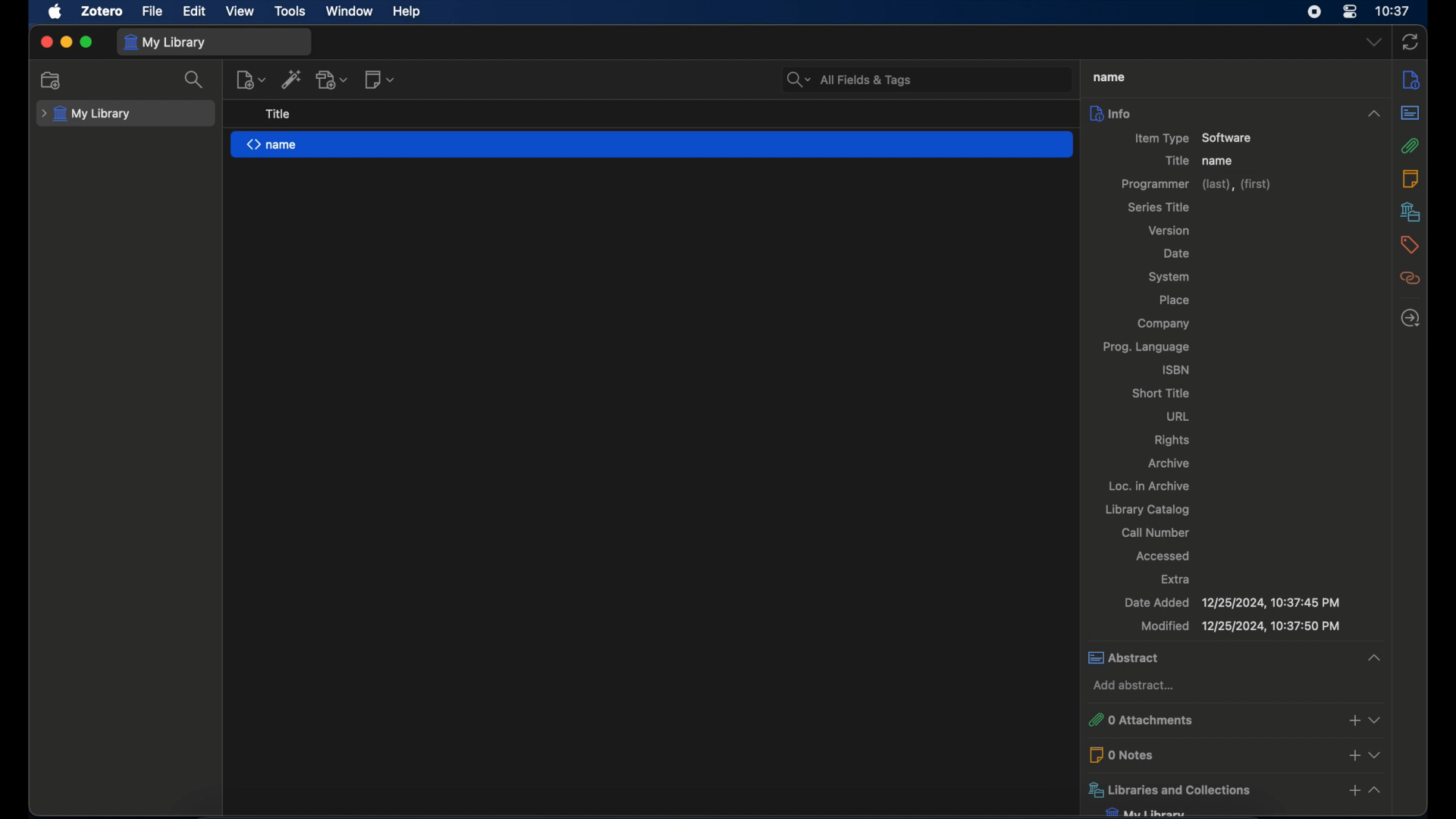 This screenshot has height=819, width=1456. Describe the element at coordinates (1210, 789) in the screenshot. I see `libraries and collections` at that location.